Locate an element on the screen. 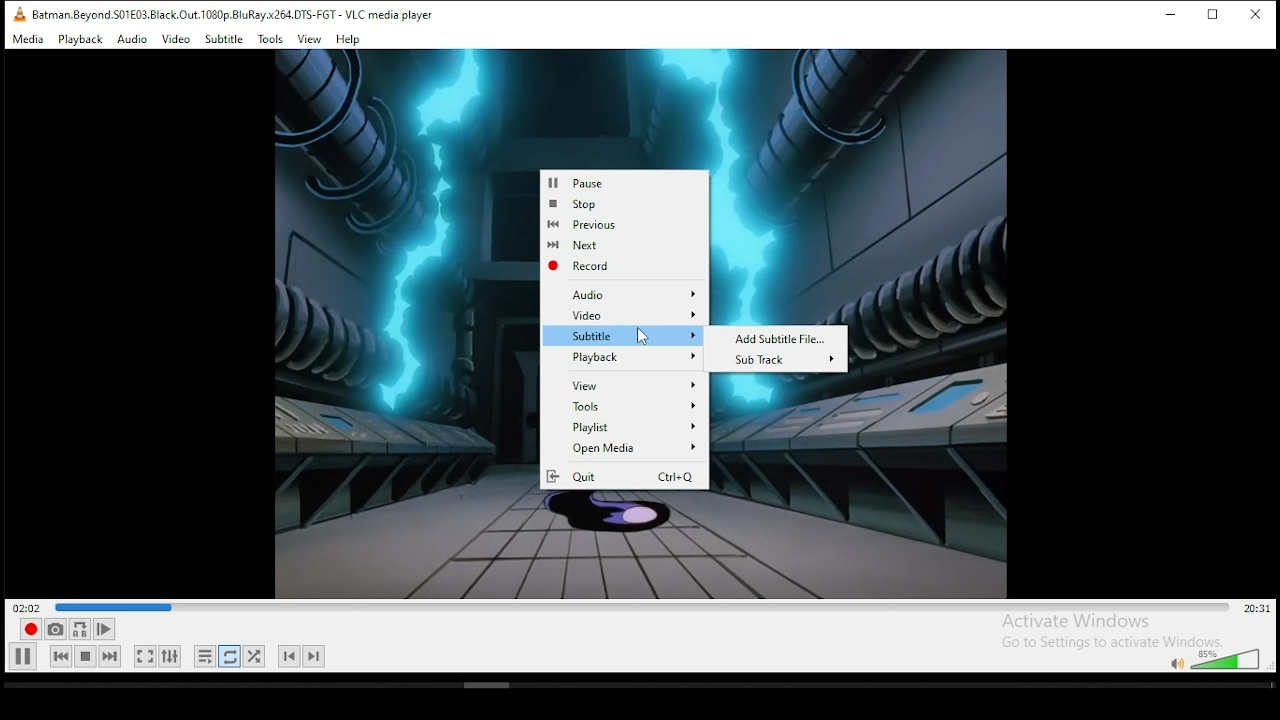  Open Media options is located at coordinates (625, 447).